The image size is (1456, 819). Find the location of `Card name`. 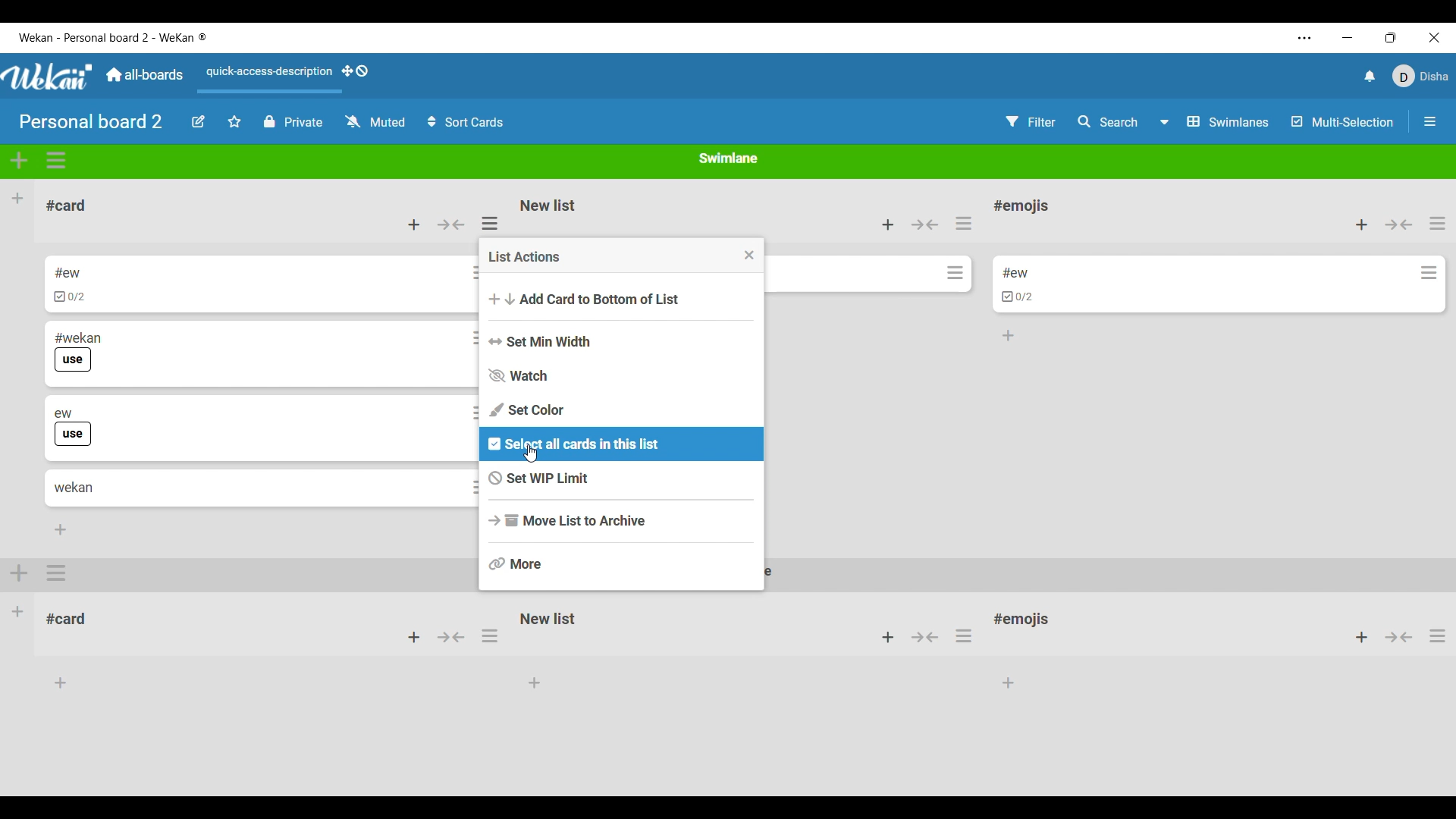

Card name is located at coordinates (74, 487).